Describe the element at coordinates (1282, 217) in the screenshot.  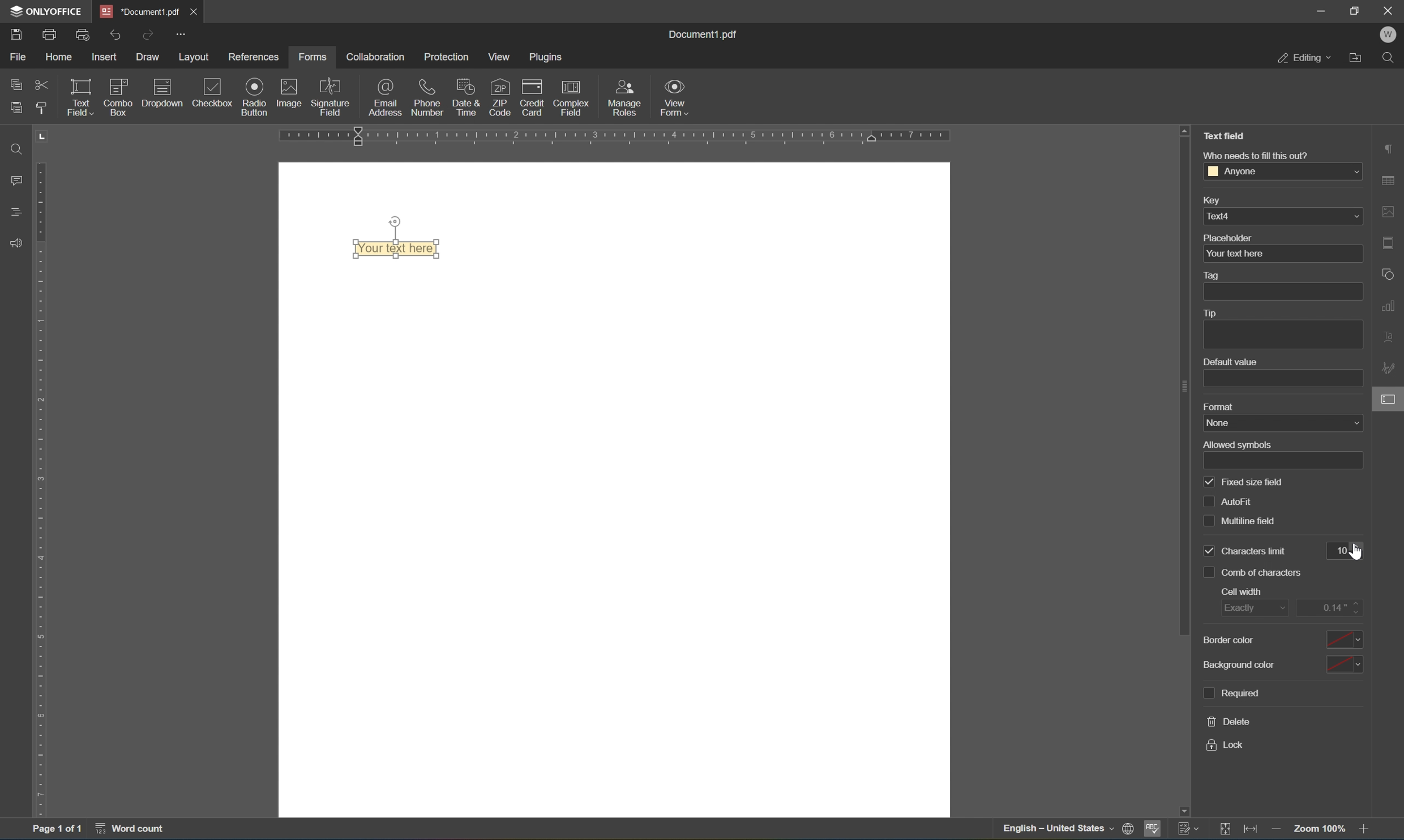
I see `text4` at that location.